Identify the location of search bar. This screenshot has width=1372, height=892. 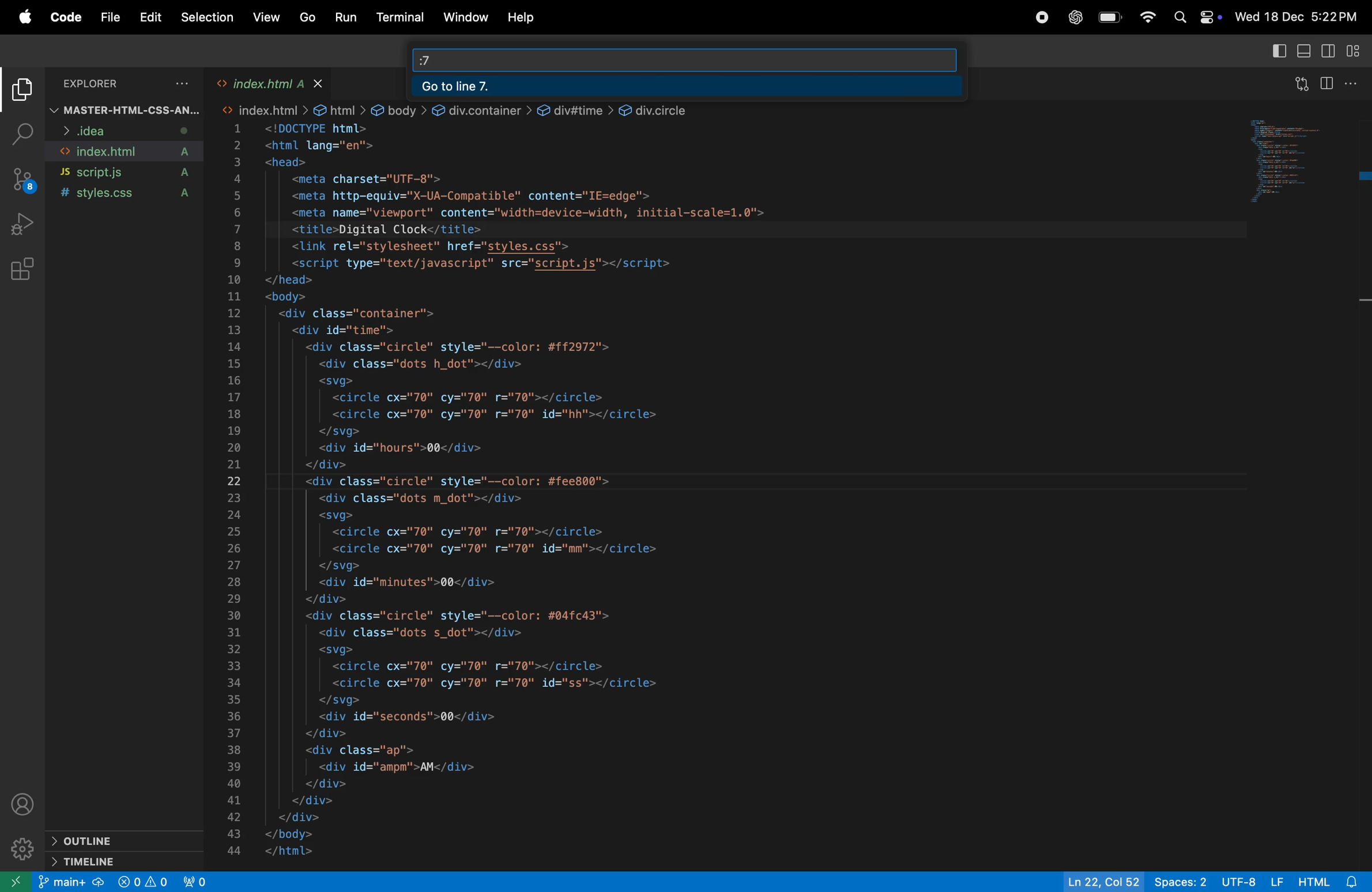
(712, 58).